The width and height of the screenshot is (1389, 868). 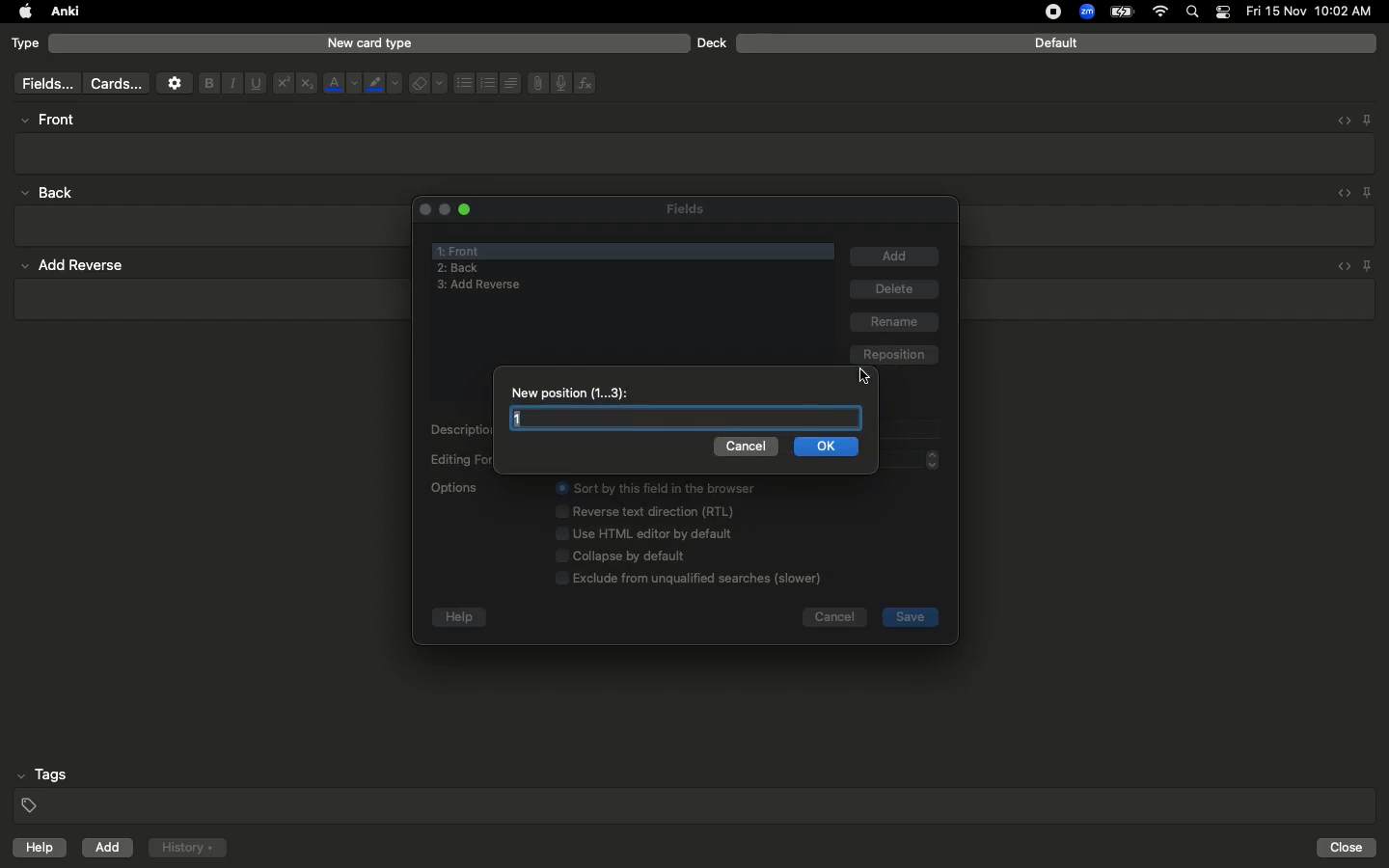 I want to click on help, so click(x=460, y=618).